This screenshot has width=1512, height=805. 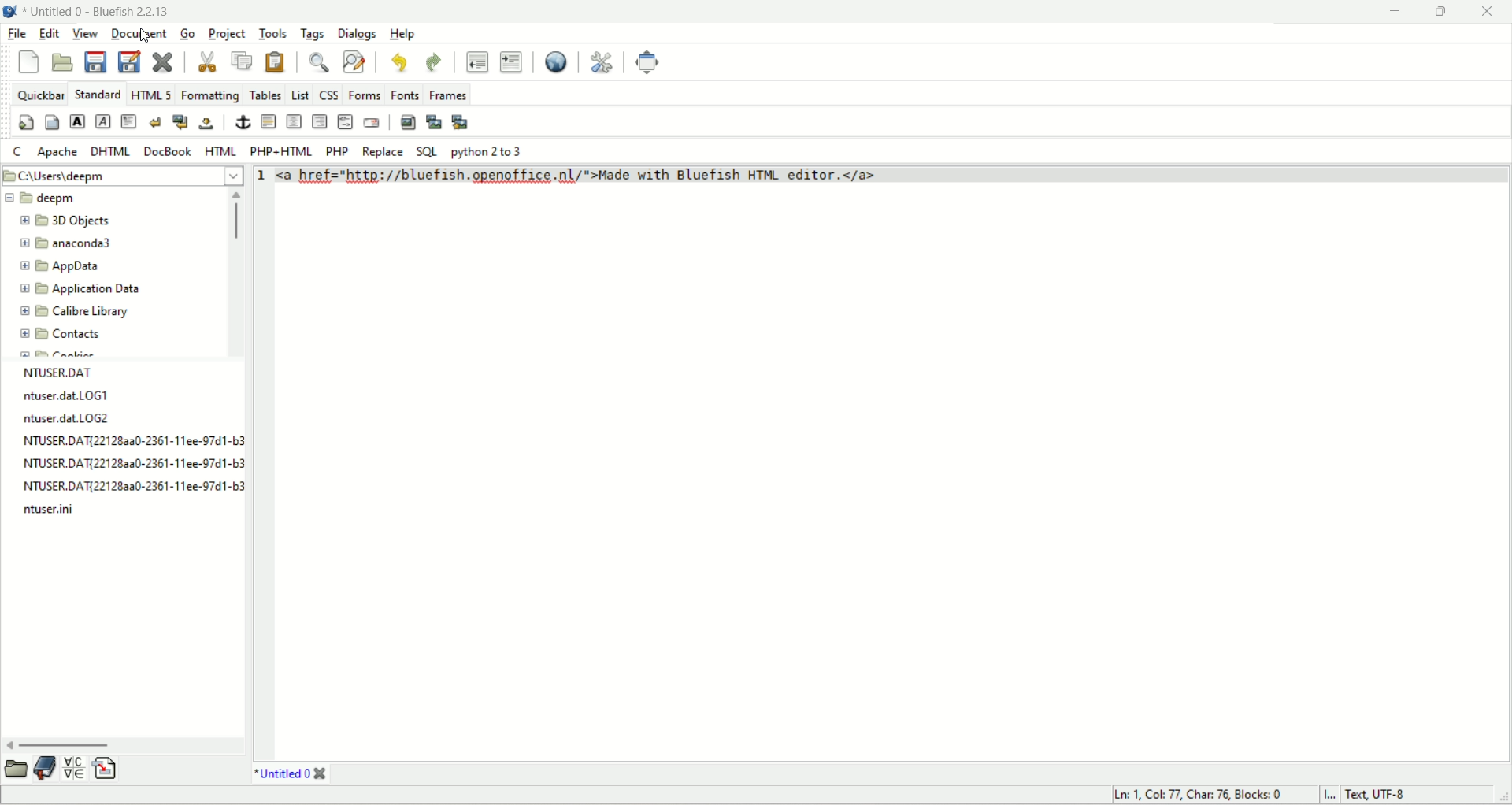 I want to click on break and clear, so click(x=180, y=121).